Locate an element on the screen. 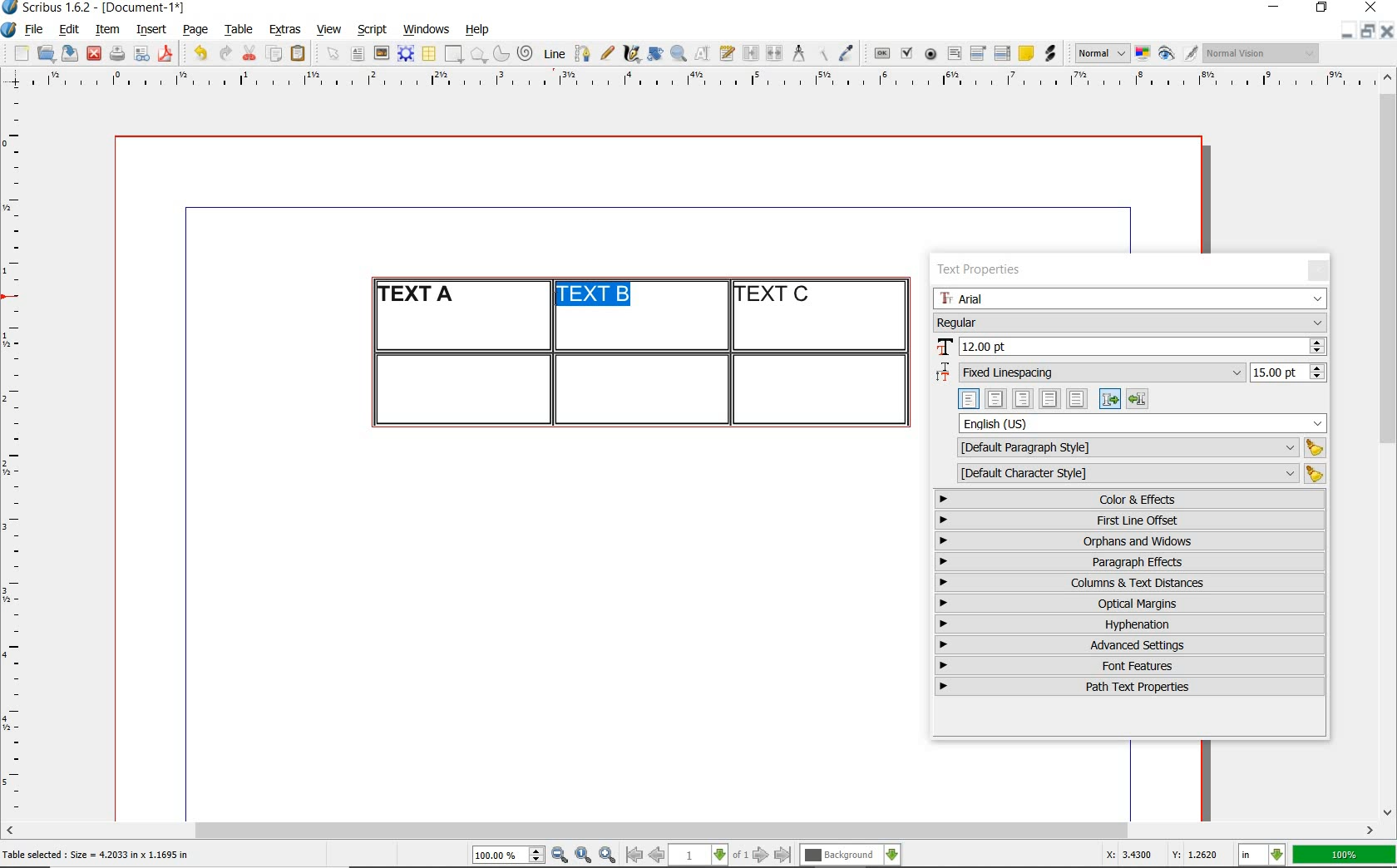  pdf combo box is located at coordinates (979, 52).